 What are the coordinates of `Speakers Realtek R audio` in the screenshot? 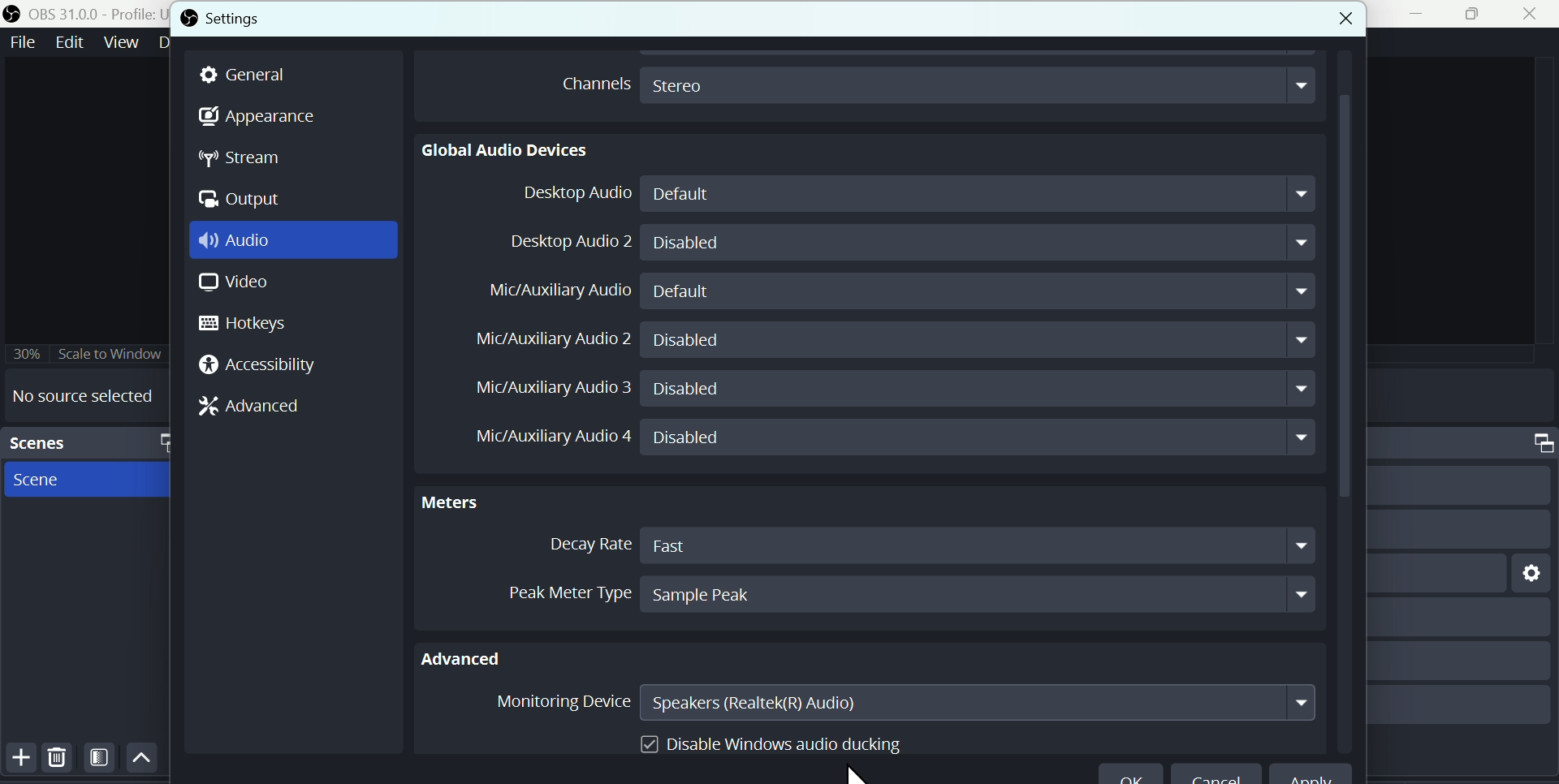 It's located at (982, 702).